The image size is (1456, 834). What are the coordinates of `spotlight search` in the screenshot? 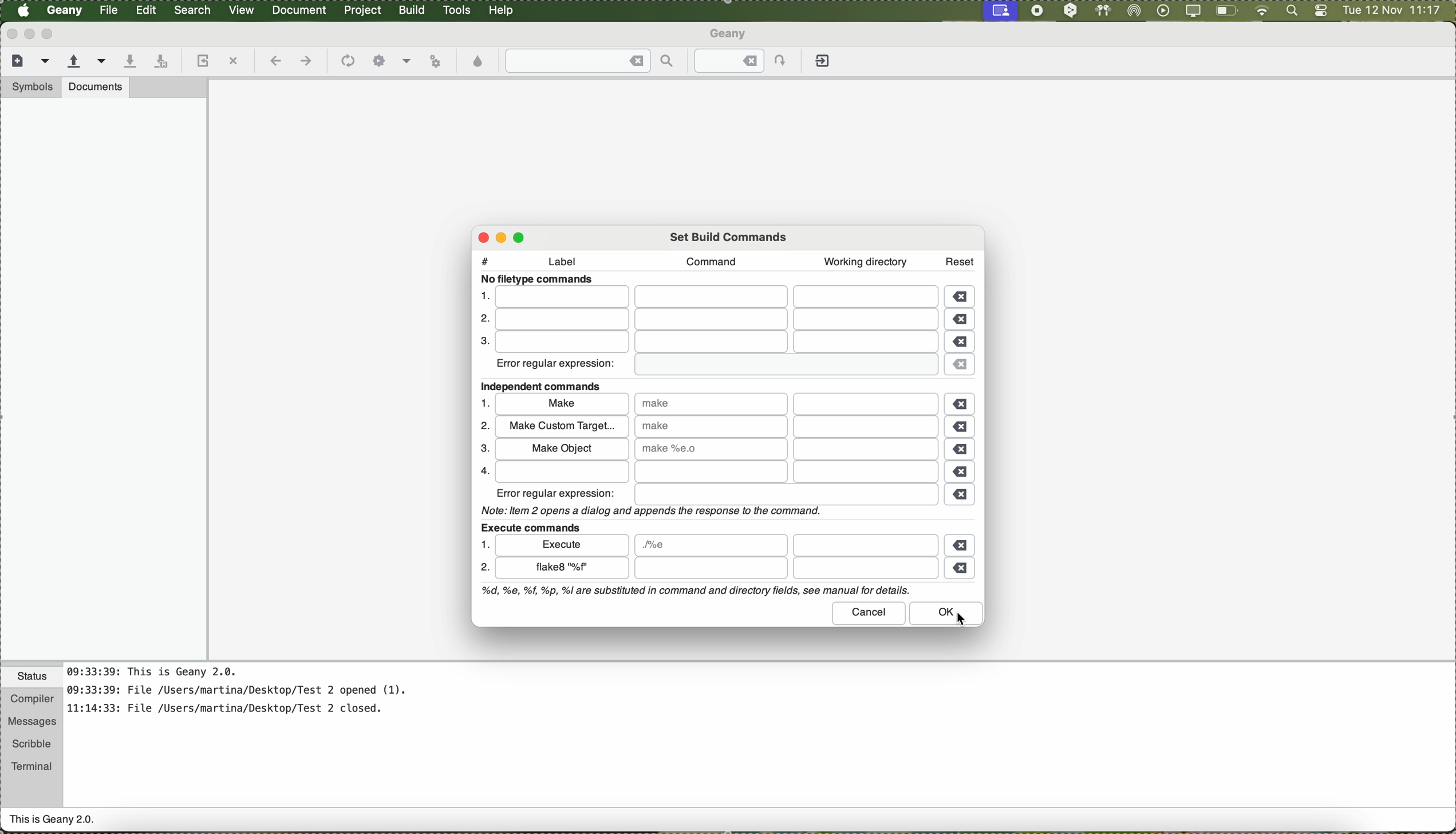 It's located at (1289, 11).